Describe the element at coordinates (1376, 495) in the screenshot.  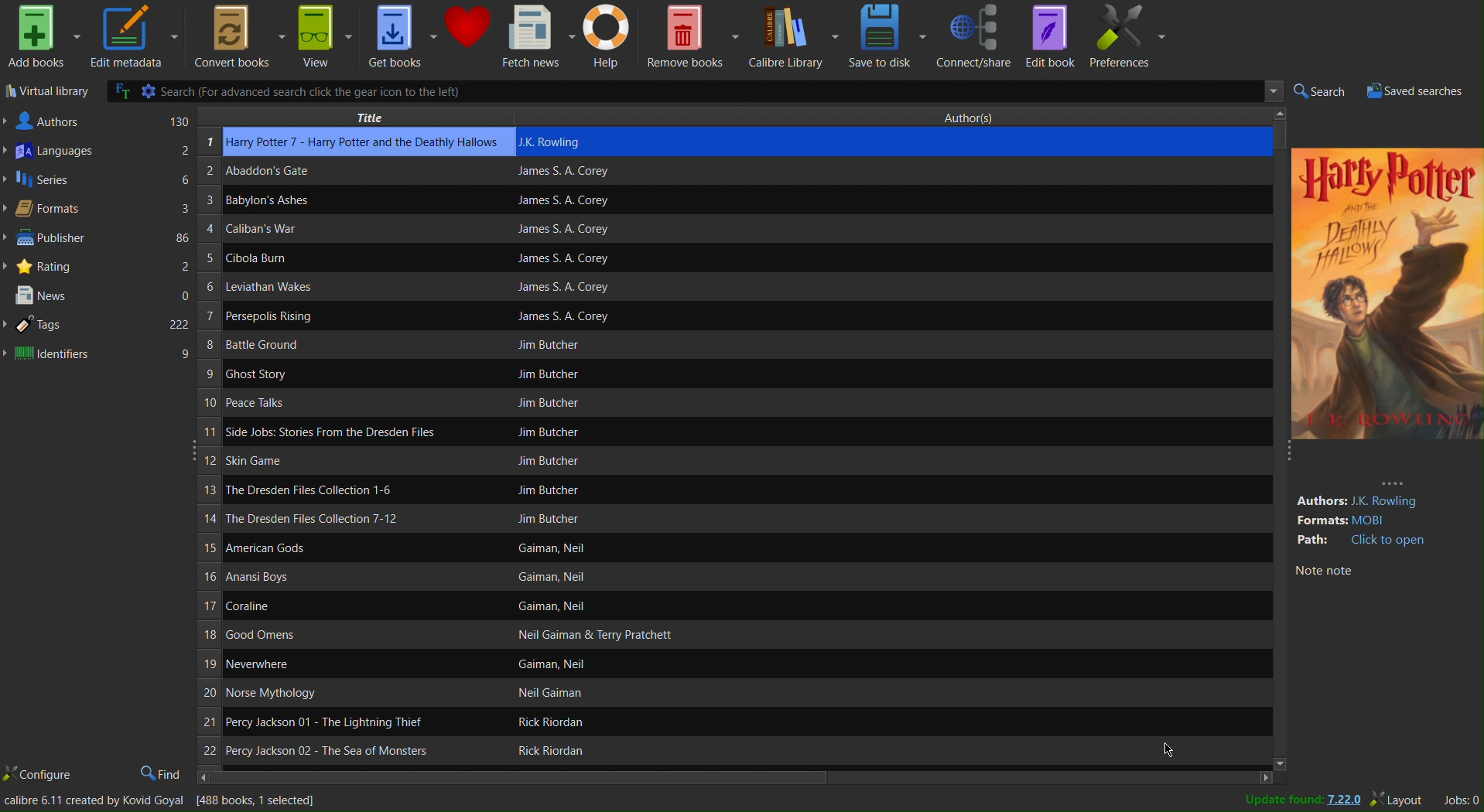
I see `authors` at that location.